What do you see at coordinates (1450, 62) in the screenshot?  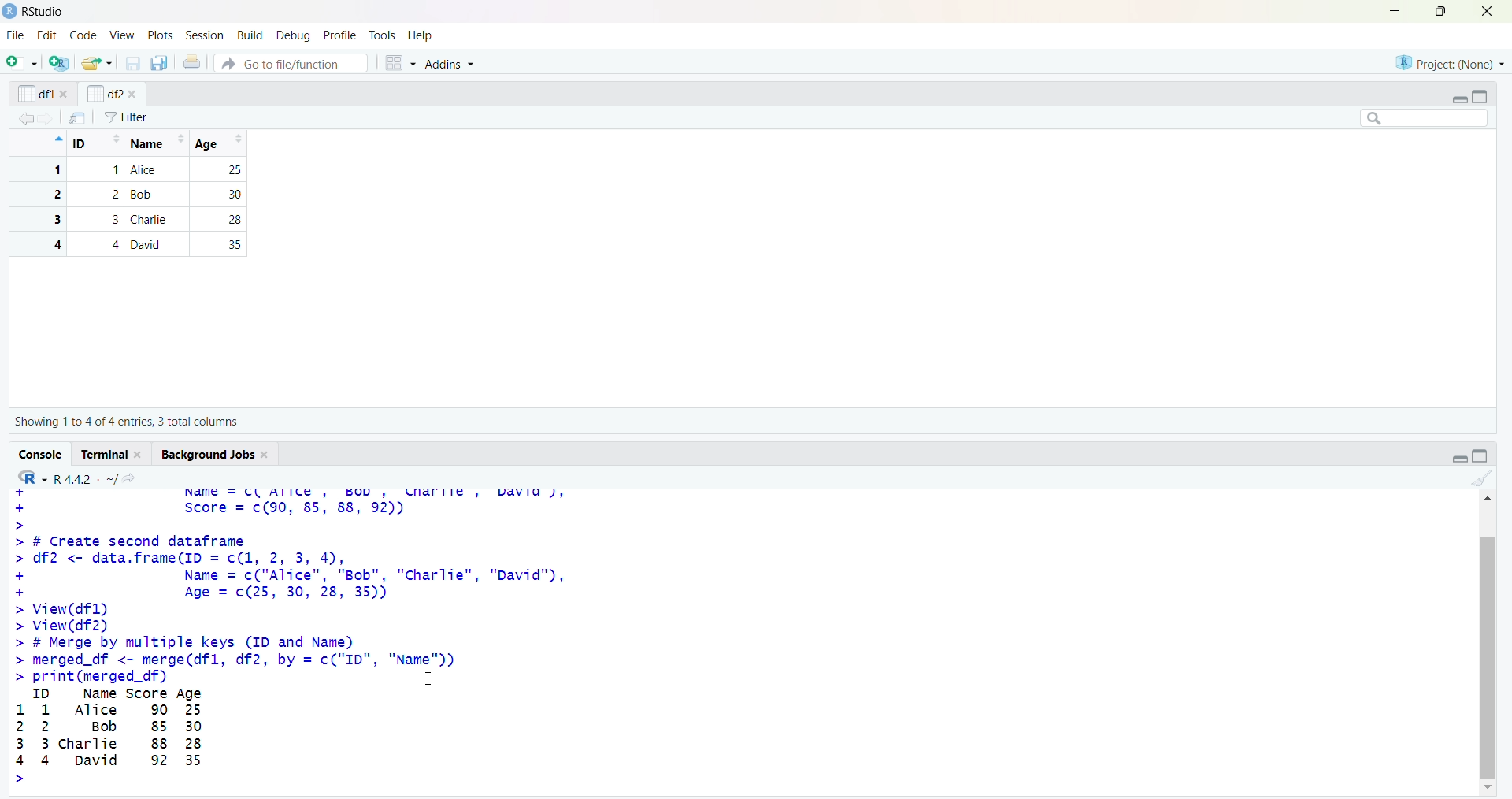 I see `project (none)` at bounding box center [1450, 62].